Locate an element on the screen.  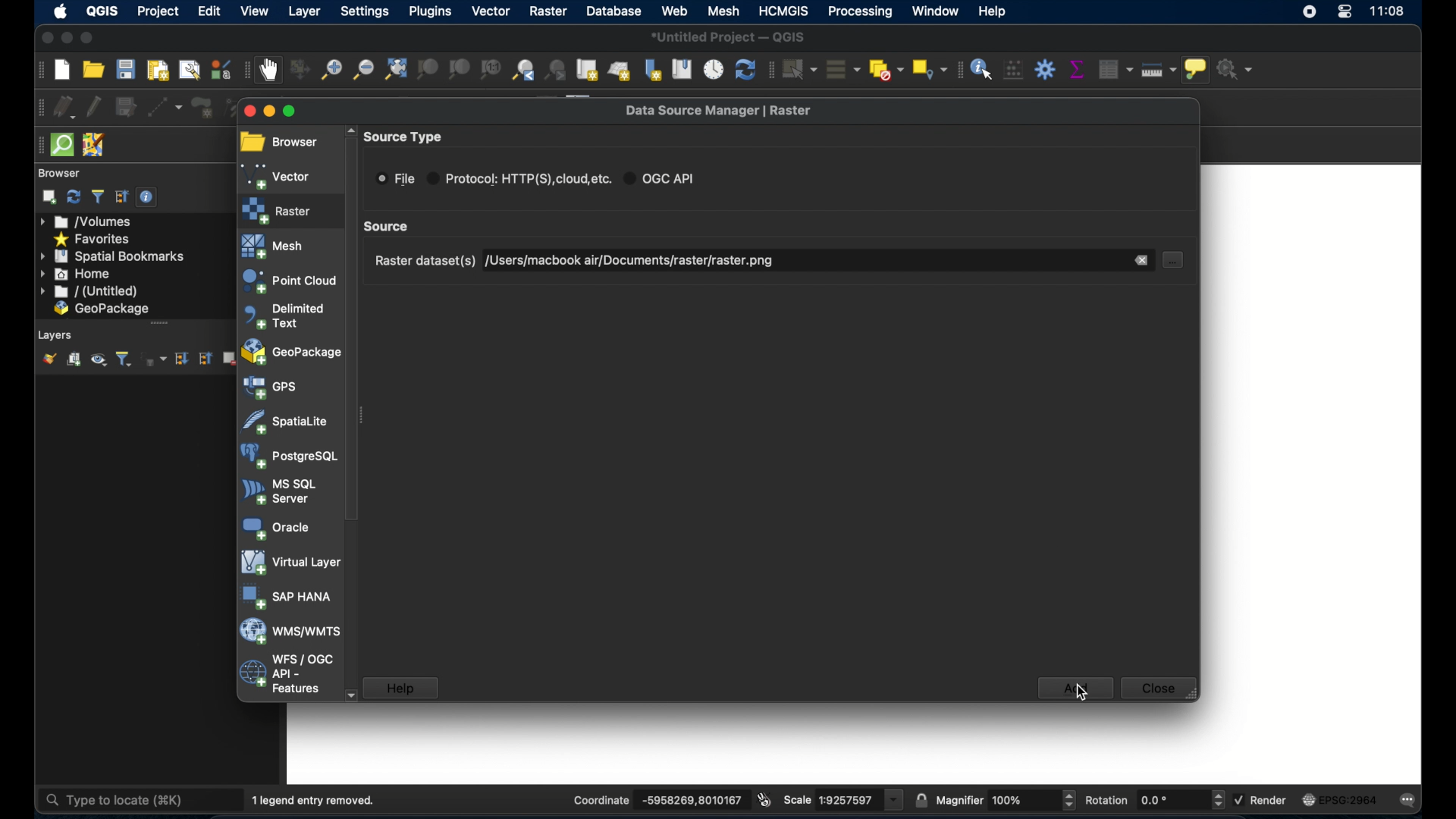
help is located at coordinates (994, 12).